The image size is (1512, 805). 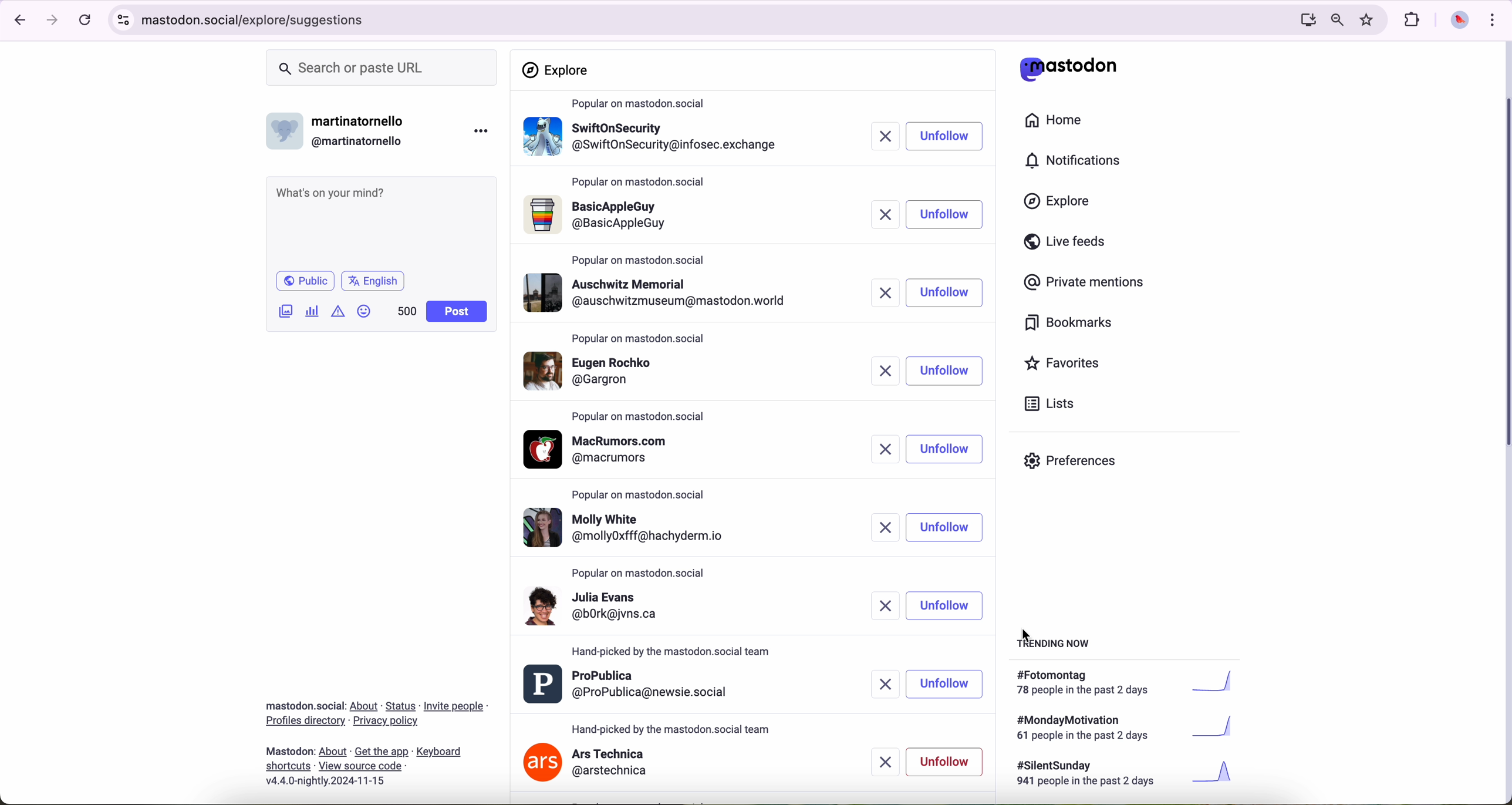 I want to click on favorites, so click(x=1067, y=365).